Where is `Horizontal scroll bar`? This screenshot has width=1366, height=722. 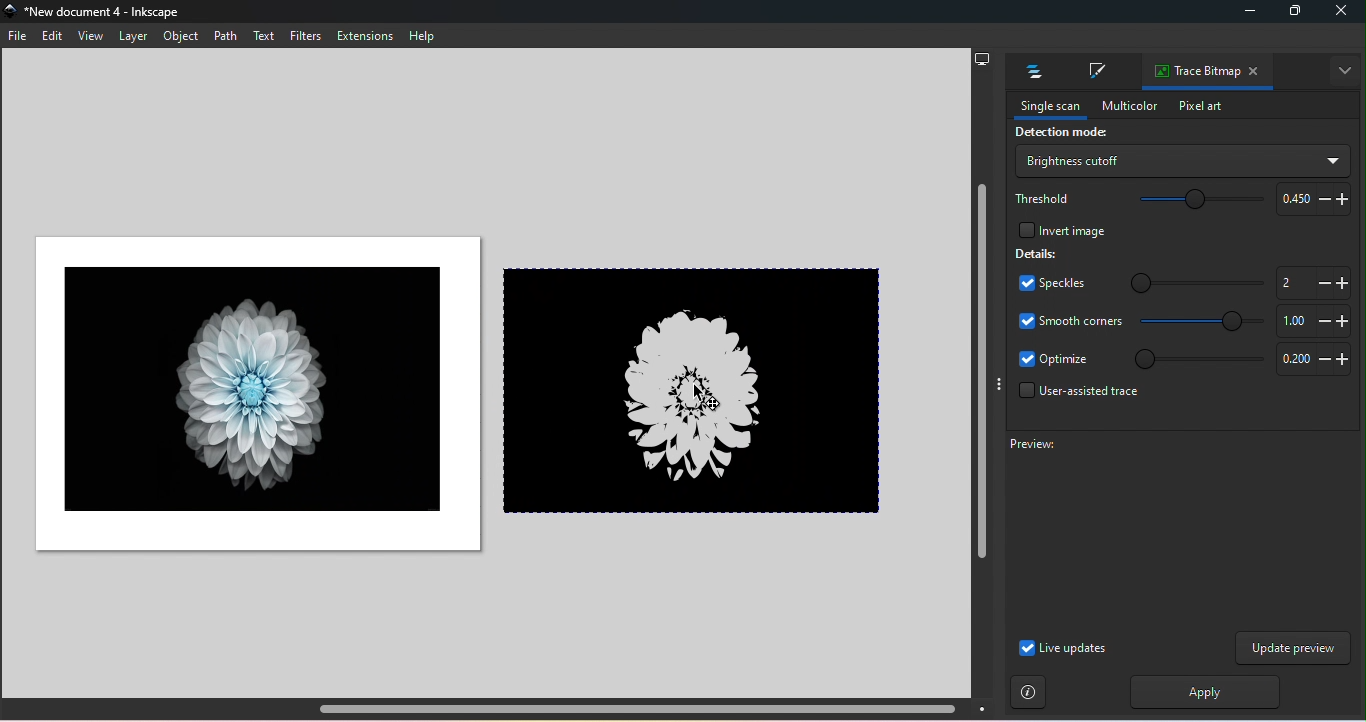 Horizontal scroll bar is located at coordinates (500, 709).